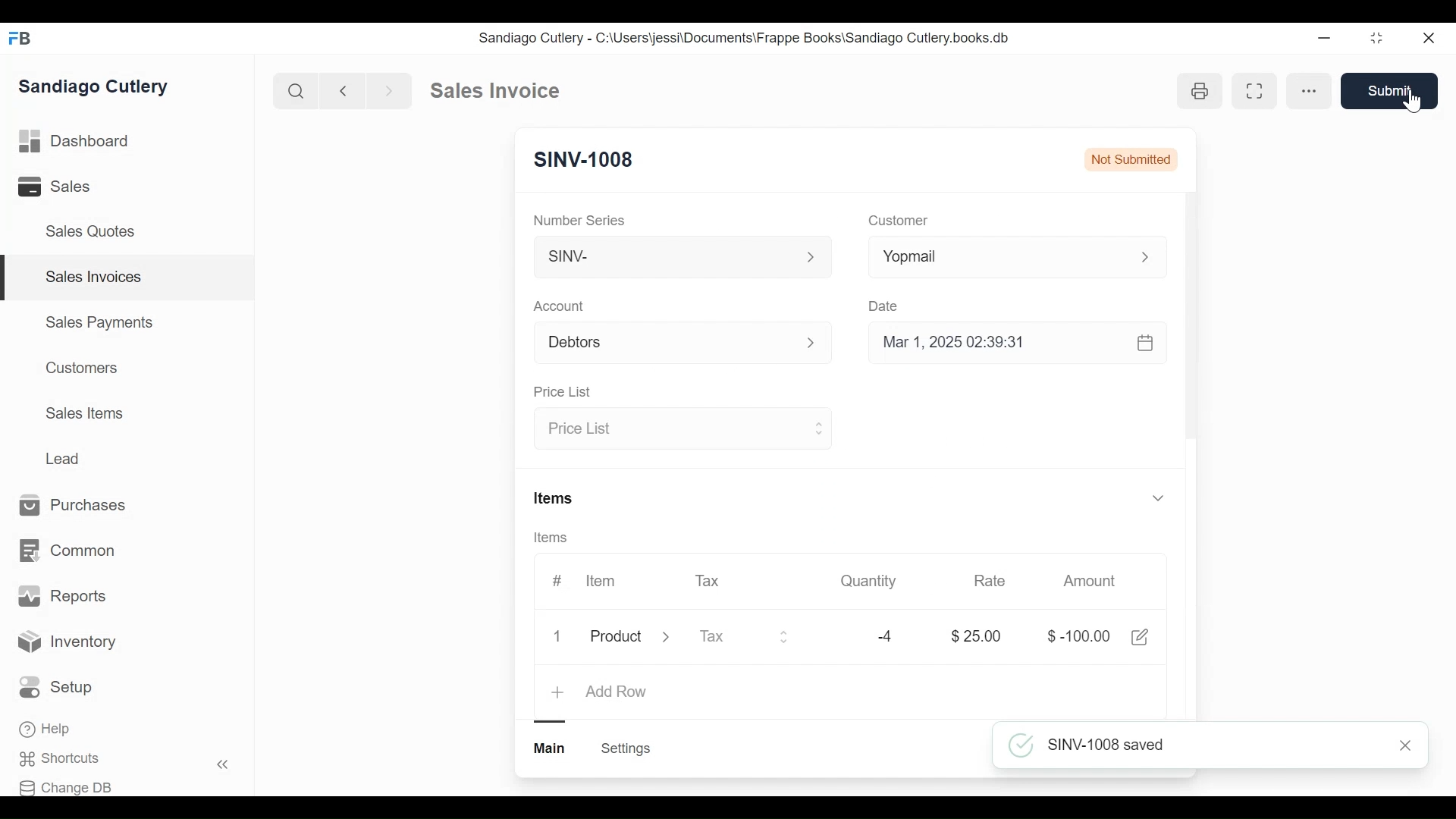 This screenshot has height=819, width=1456. I want to click on Sales invoice, so click(494, 91).